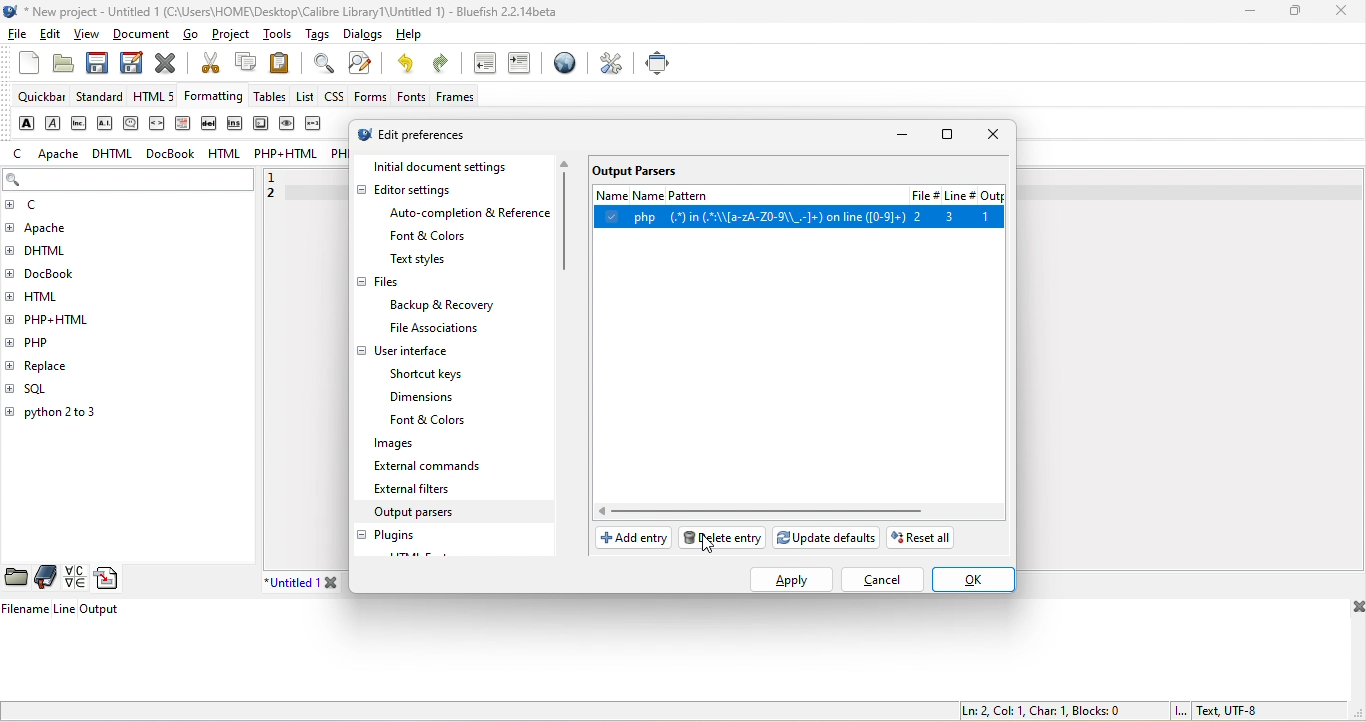 This screenshot has width=1366, height=722. I want to click on php+html, so click(287, 156).